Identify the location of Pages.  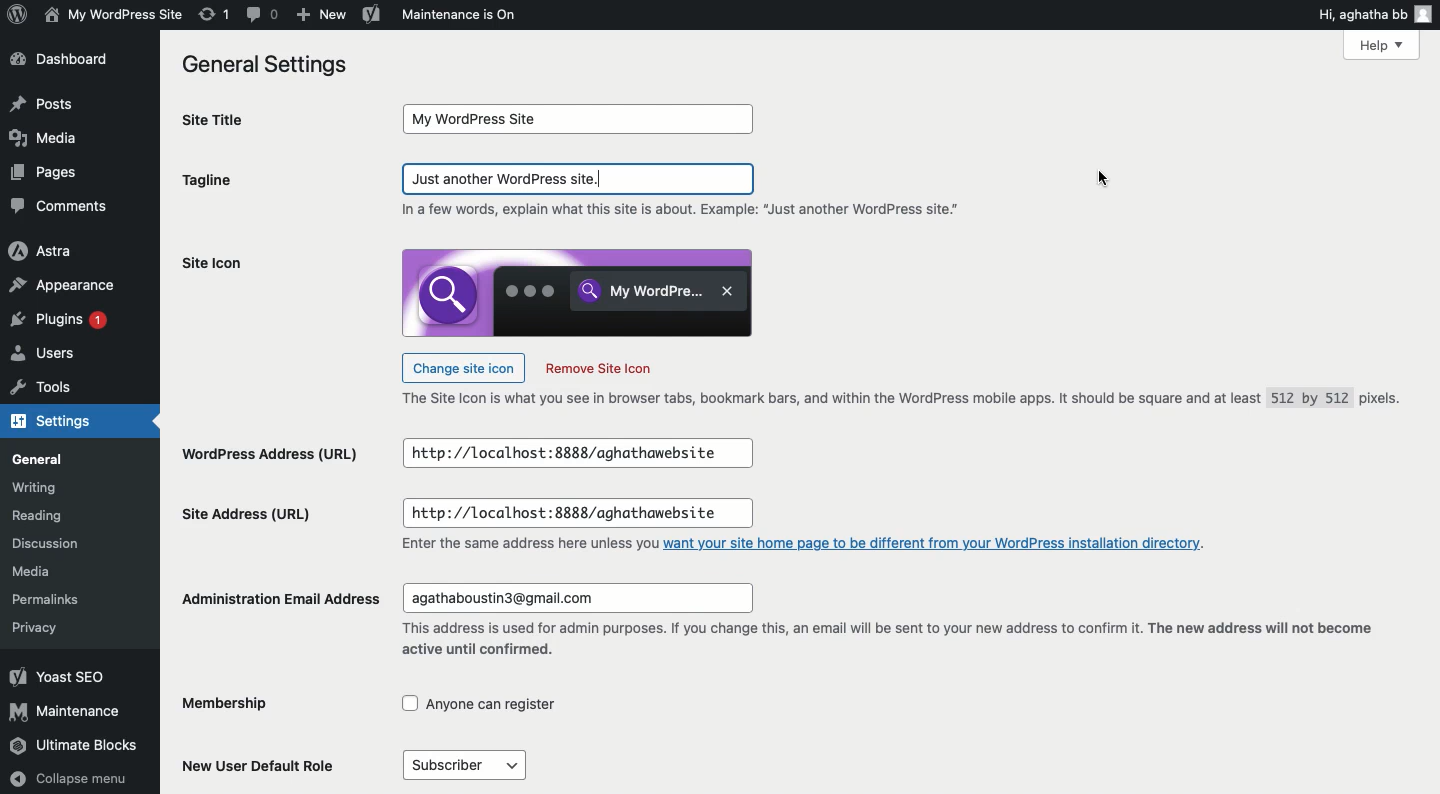
(49, 172).